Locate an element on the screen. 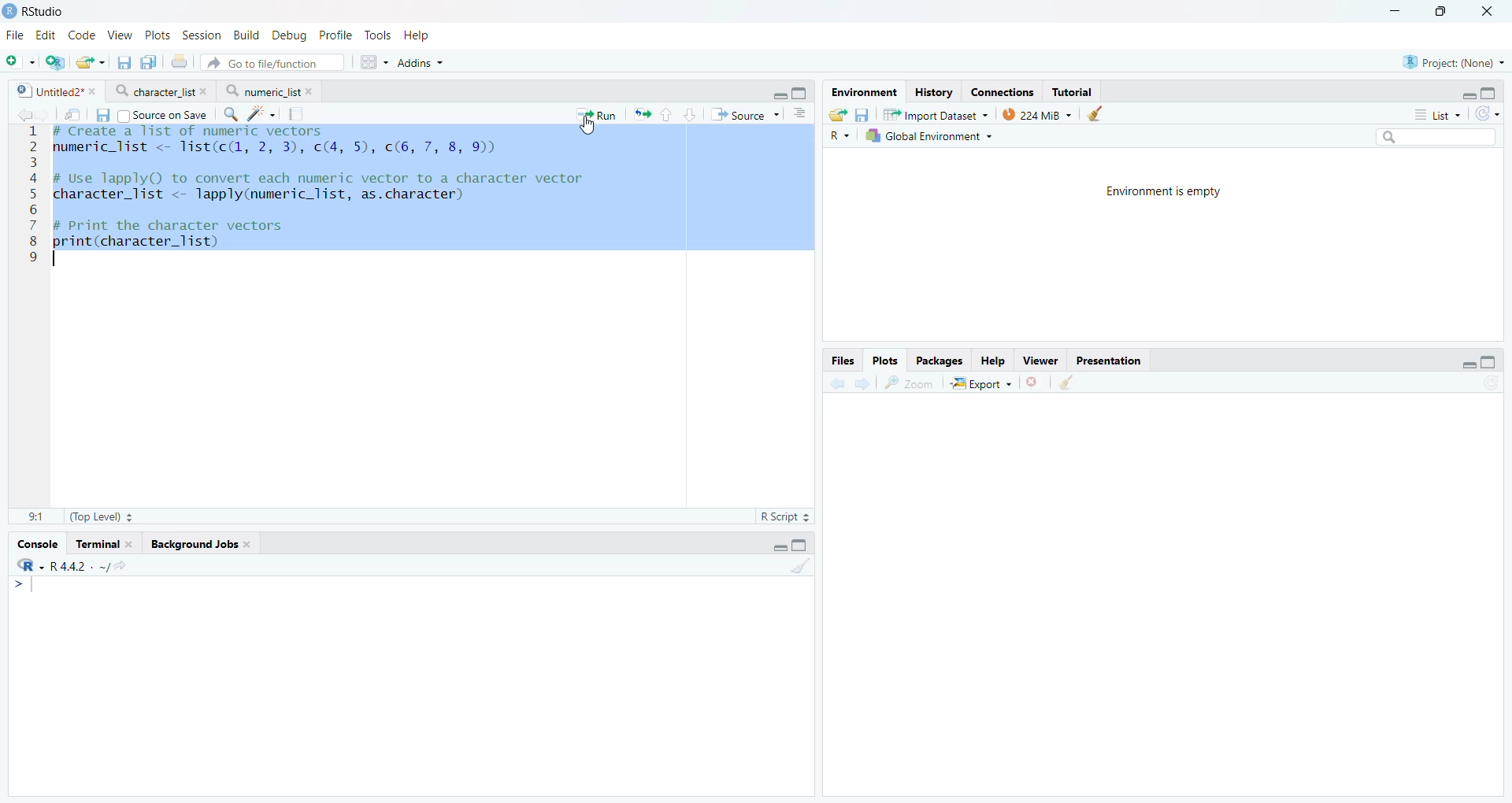 The image size is (1512, 803). View is located at coordinates (122, 33).